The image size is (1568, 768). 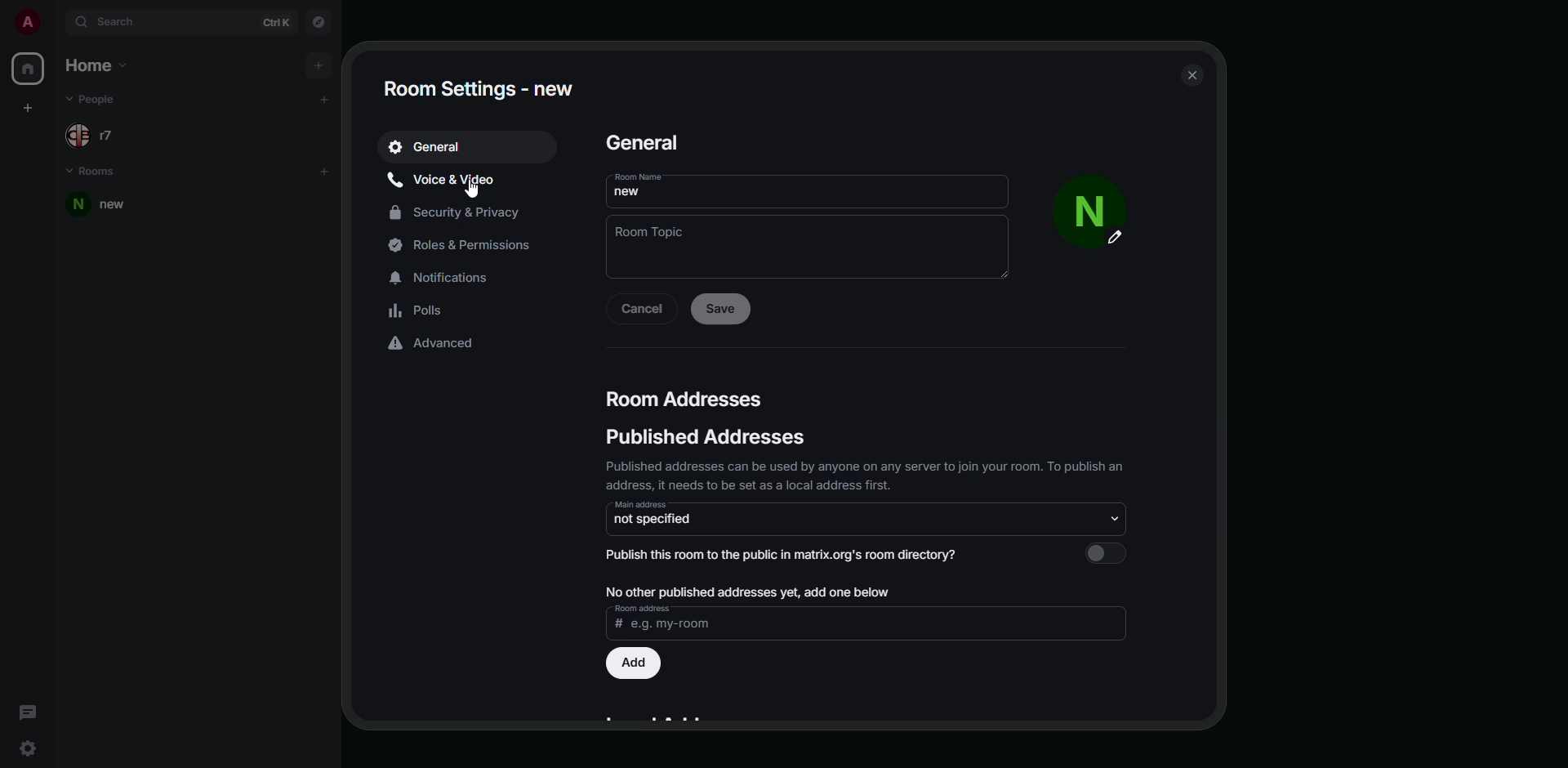 I want to click on polls, so click(x=420, y=310).